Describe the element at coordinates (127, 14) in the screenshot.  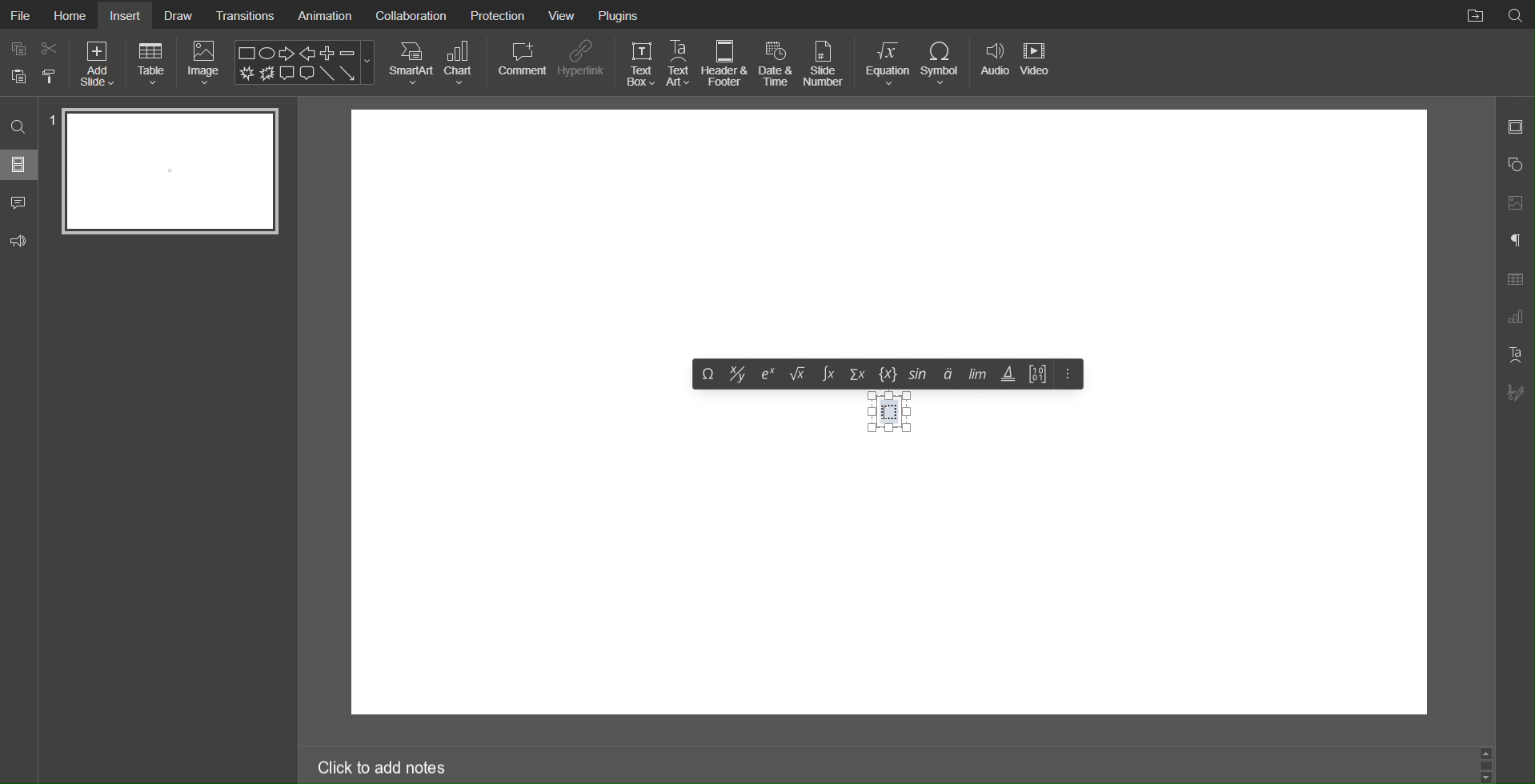
I see `Insert` at that location.